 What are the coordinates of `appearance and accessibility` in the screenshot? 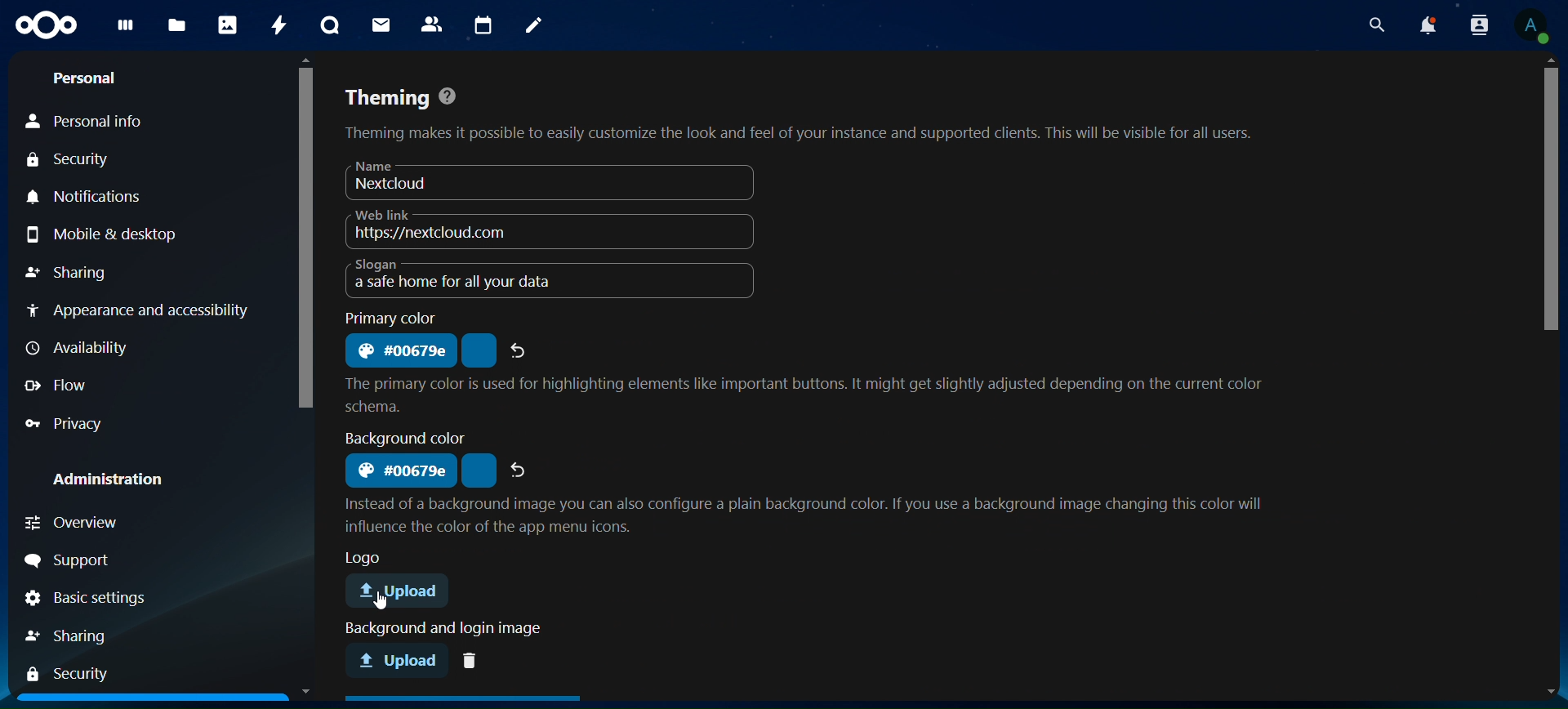 It's located at (136, 309).